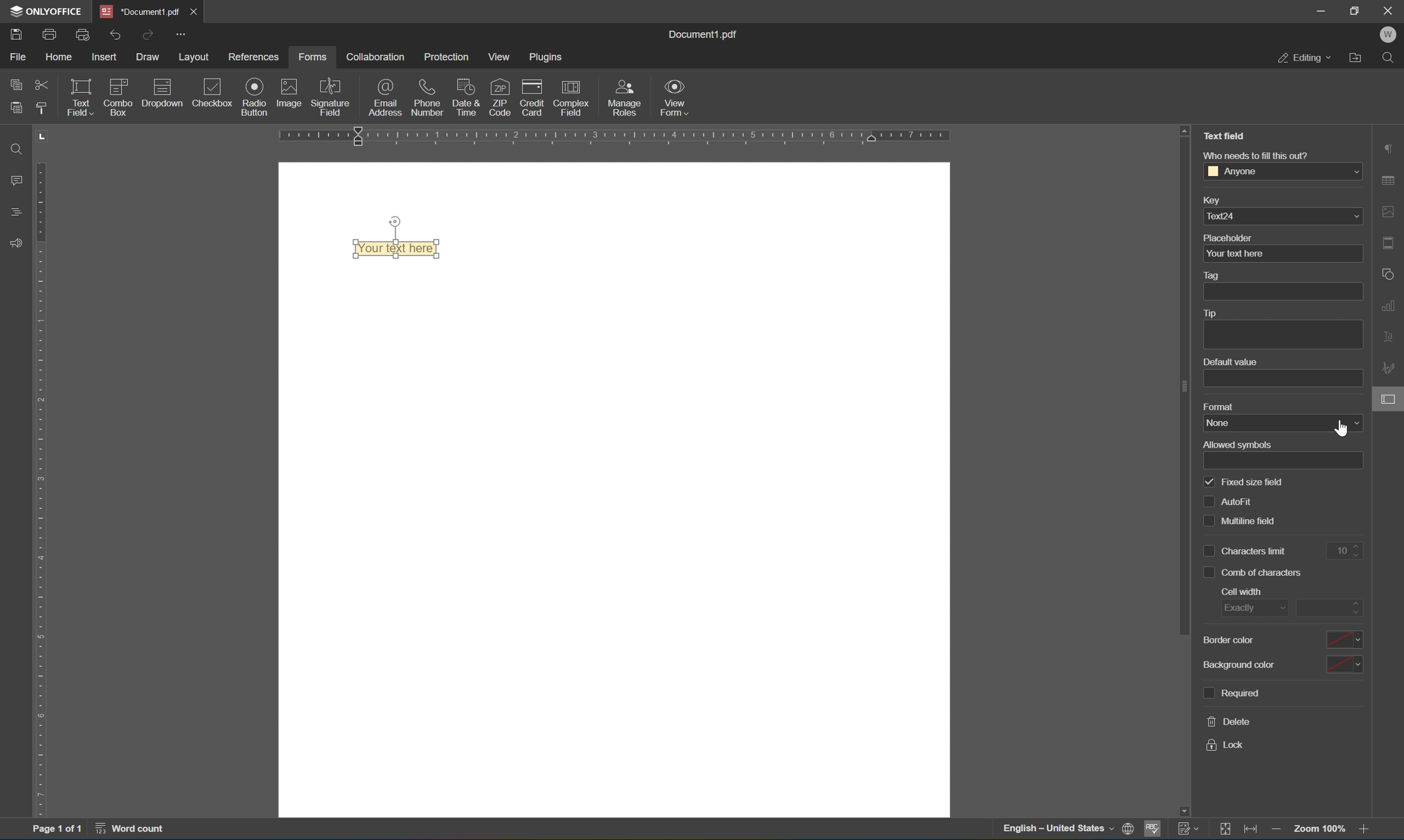 The width and height of the screenshot is (1404, 840). Describe the element at coordinates (1237, 444) in the screenshot. I see `allowed symbols` at that location.